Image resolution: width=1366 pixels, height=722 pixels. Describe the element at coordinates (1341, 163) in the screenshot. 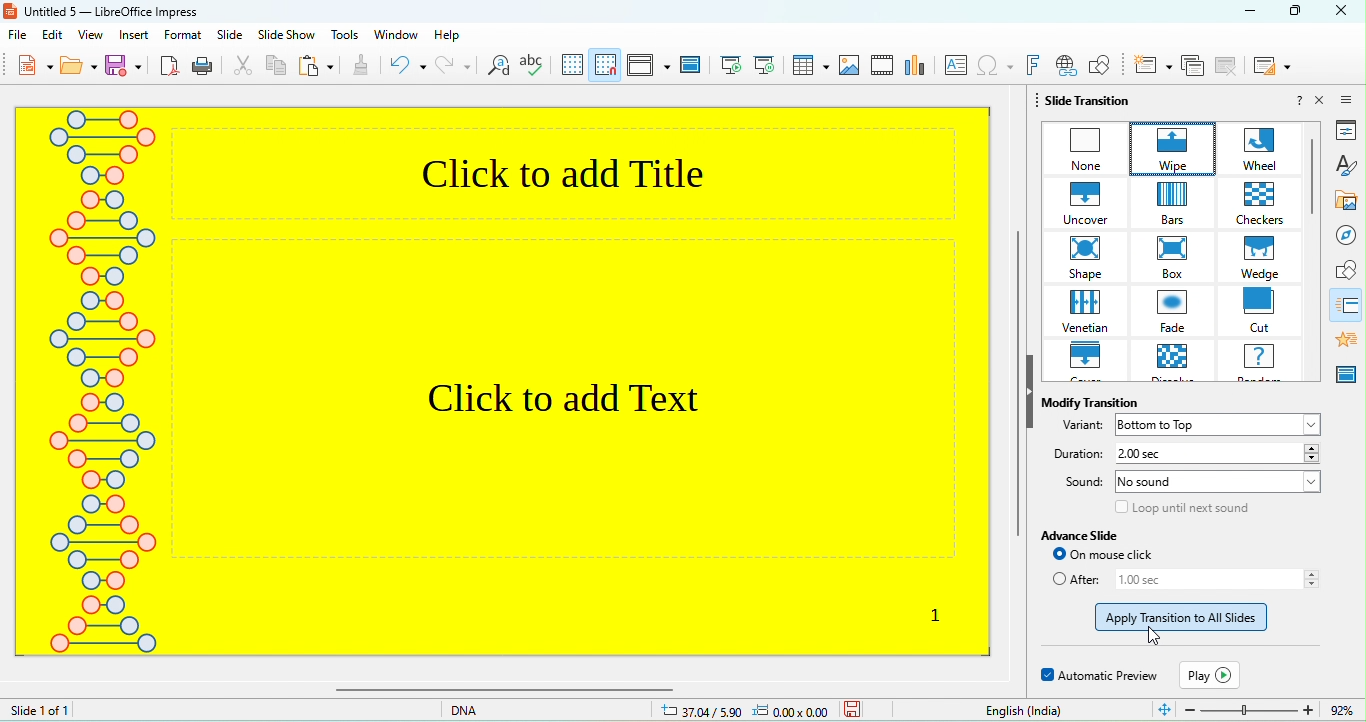

I see `style` at that location.